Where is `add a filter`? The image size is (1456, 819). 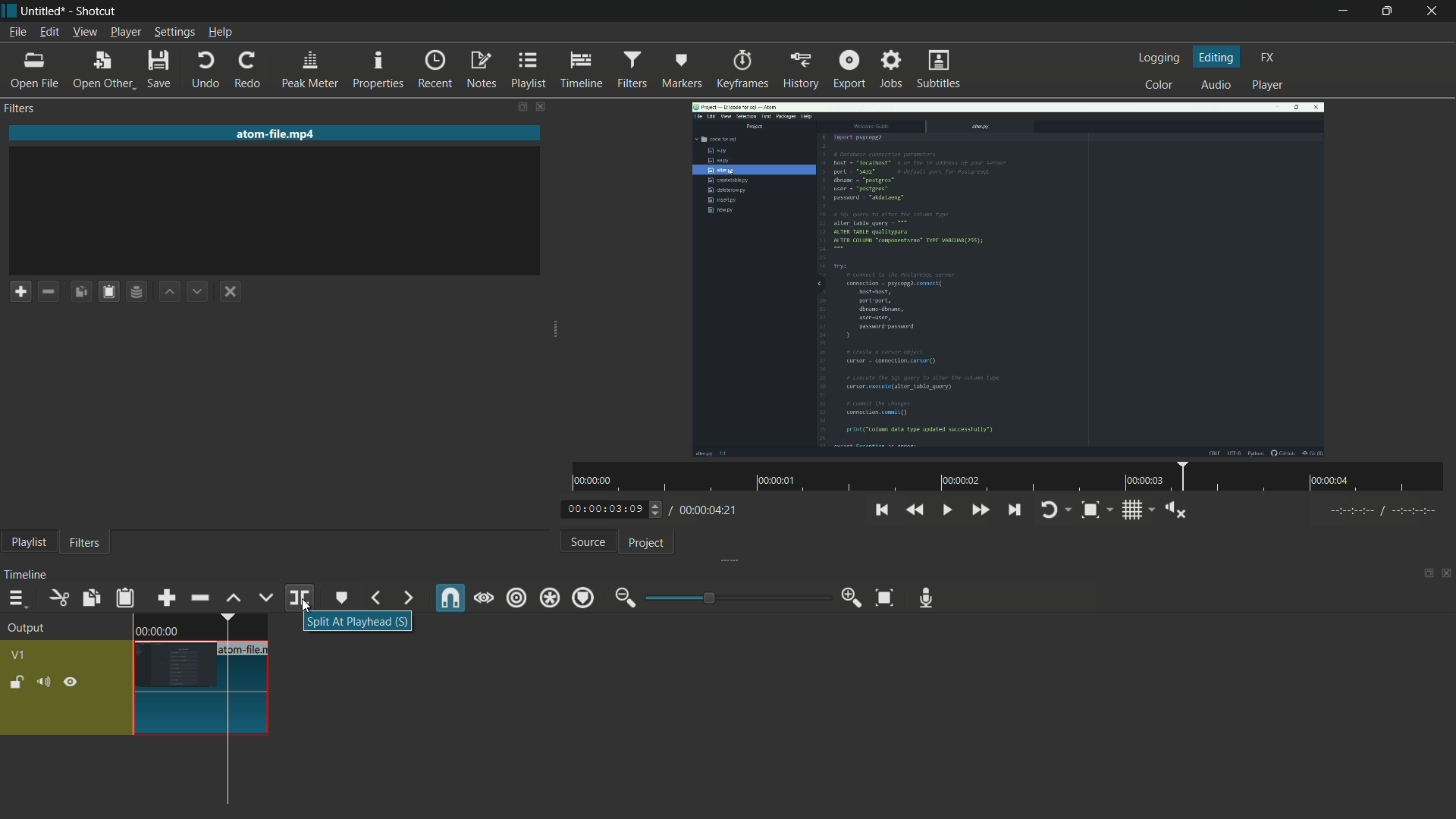
add a filter is located at coordinates (21, 293).